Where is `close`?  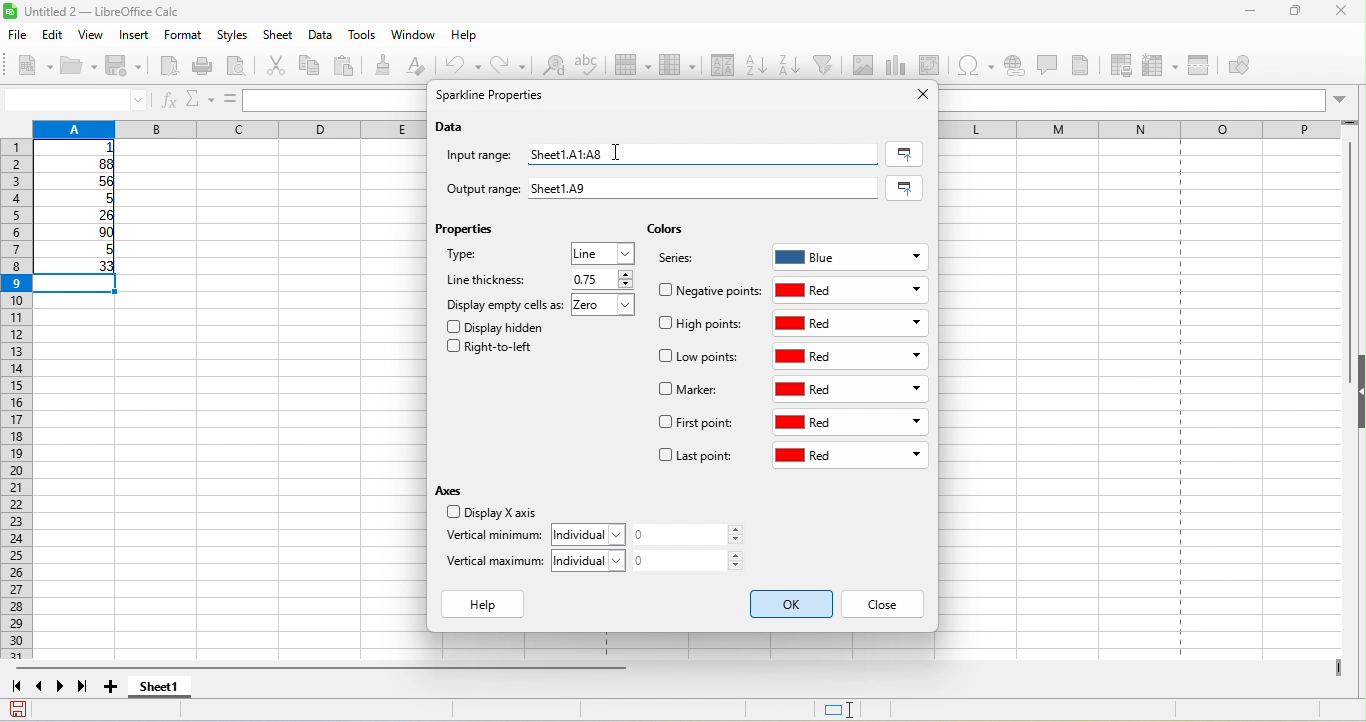 close is located at coordinates (917, 95).